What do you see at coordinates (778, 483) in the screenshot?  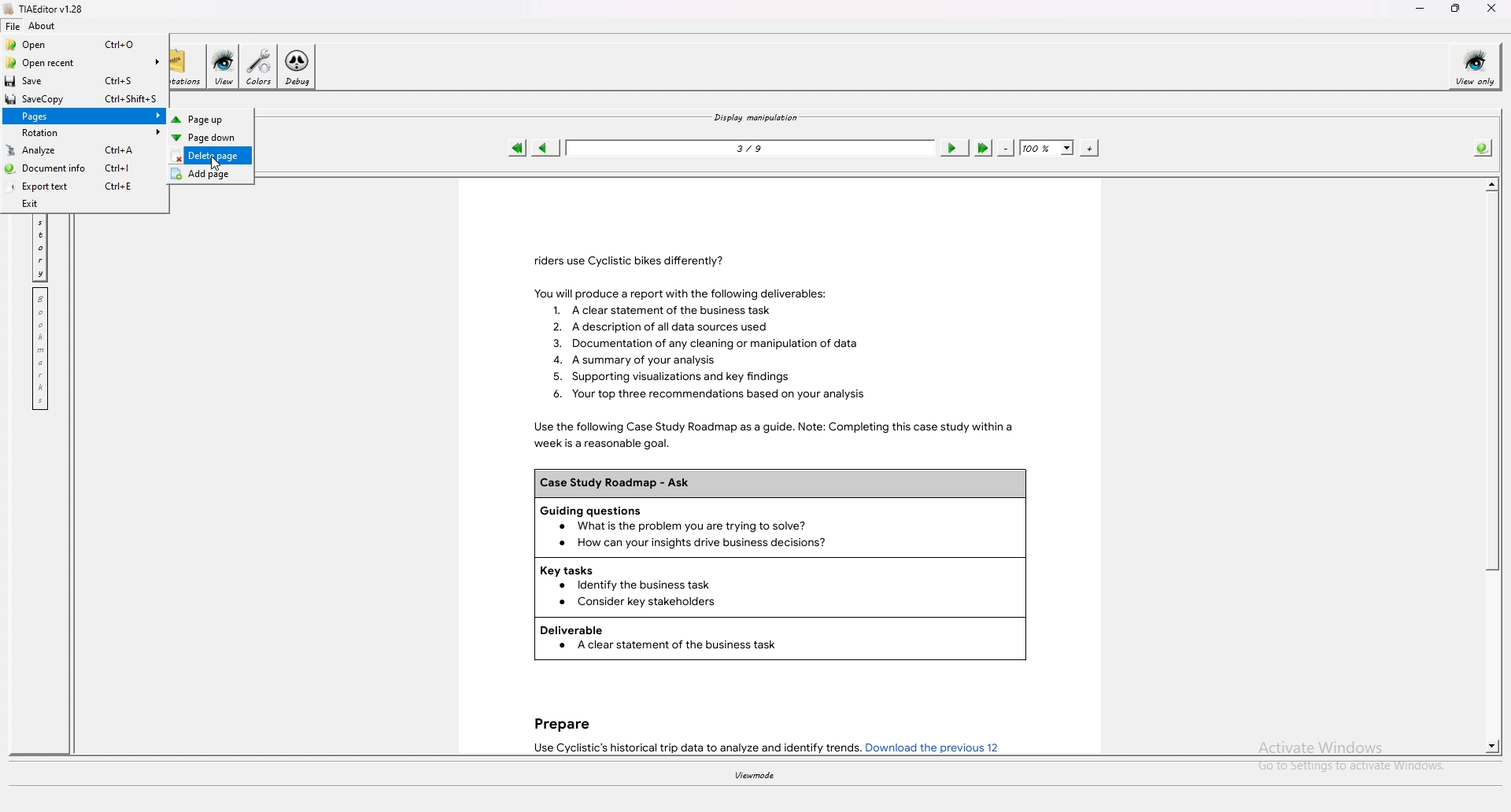 I see `Case Study Roadmap - Ask` at bounding box center [778, 483].